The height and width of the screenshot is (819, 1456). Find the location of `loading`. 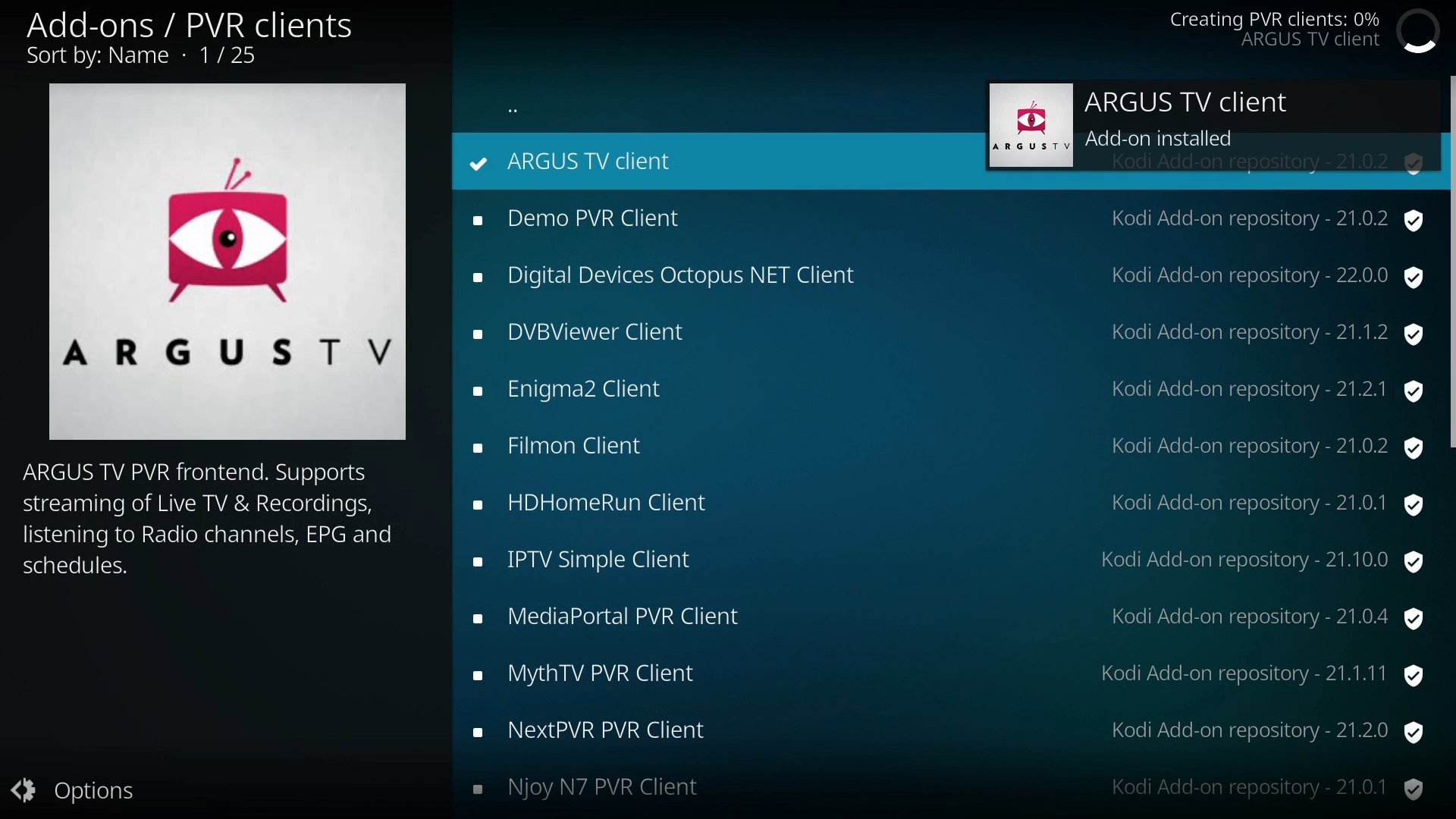

loading is located at coordinates (1424, 32).